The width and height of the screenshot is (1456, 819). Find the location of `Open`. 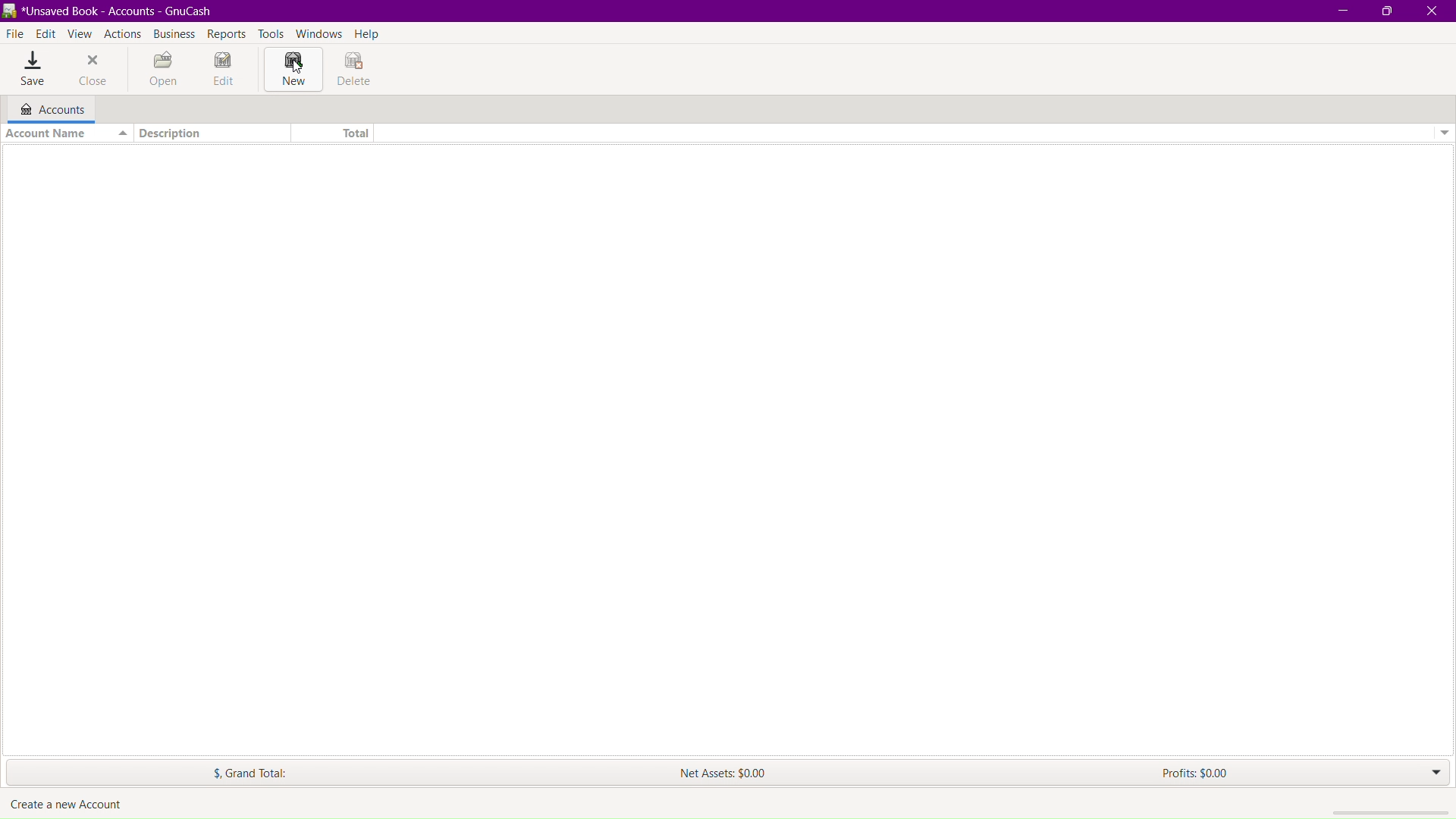

Open is located at coordinates (163, 71).